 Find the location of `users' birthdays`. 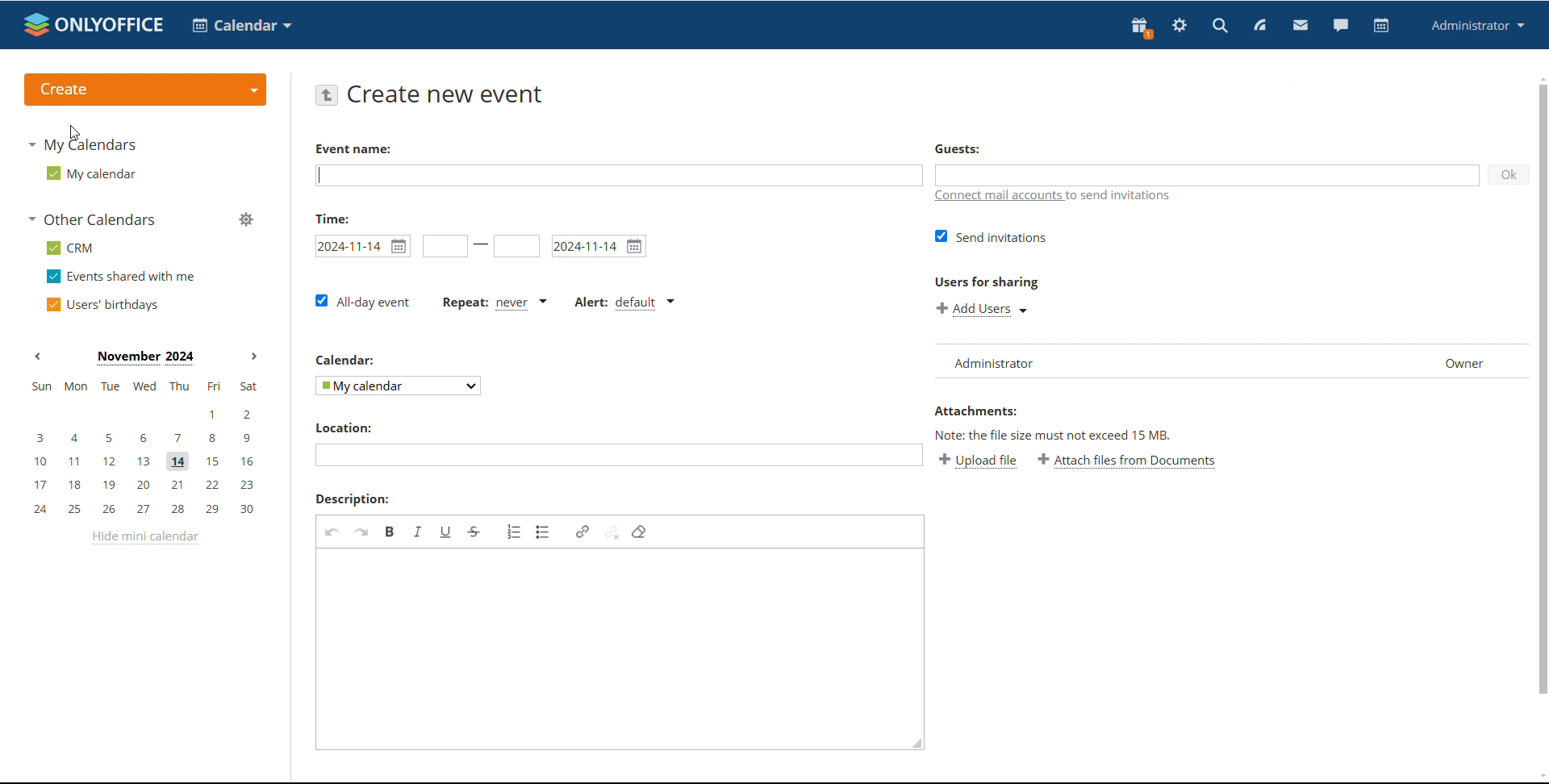

users' birthdays is located at coordinates (101, 305).